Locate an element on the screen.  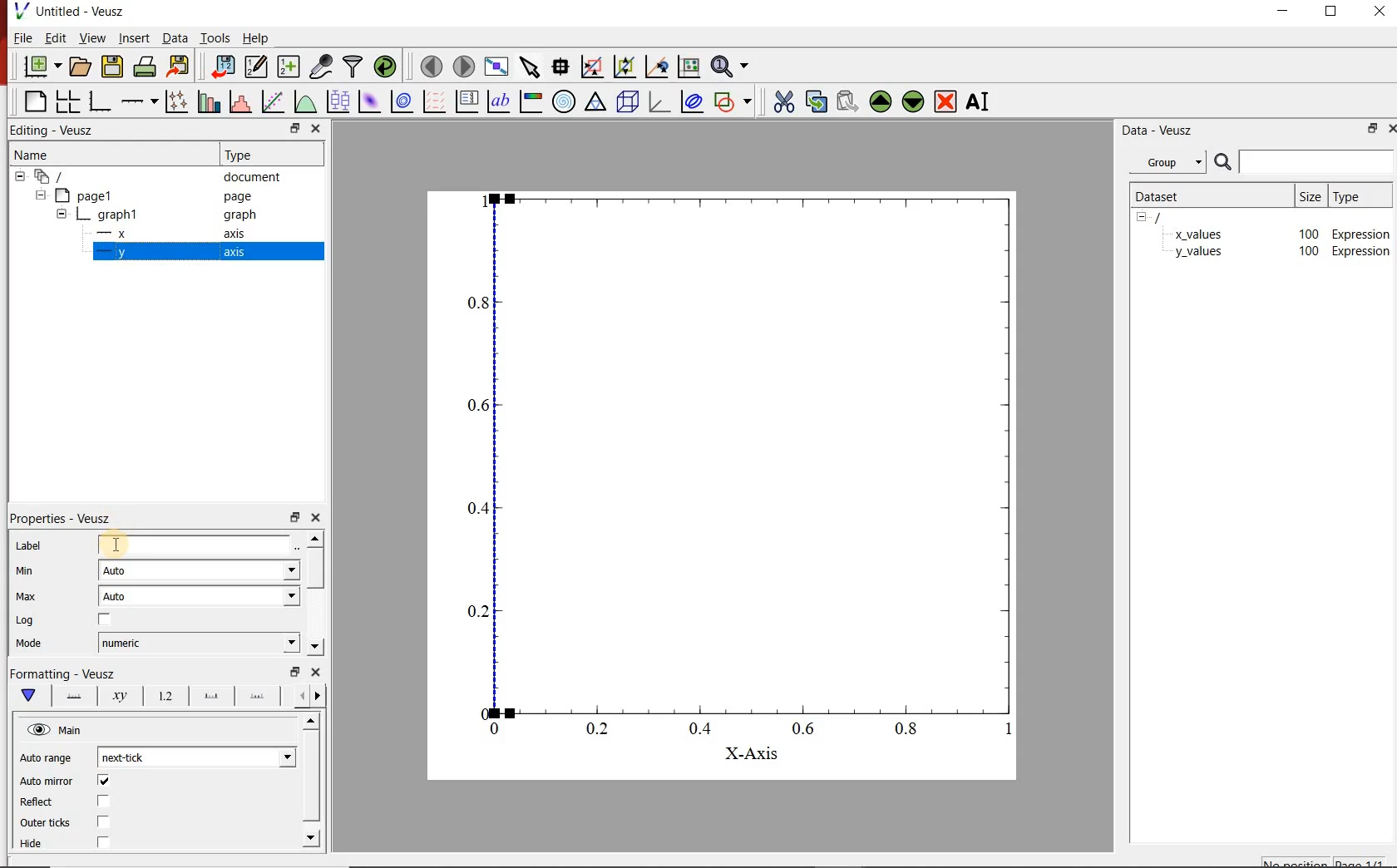
click to zoom out on graph axes is located at coordinates (622, 67).